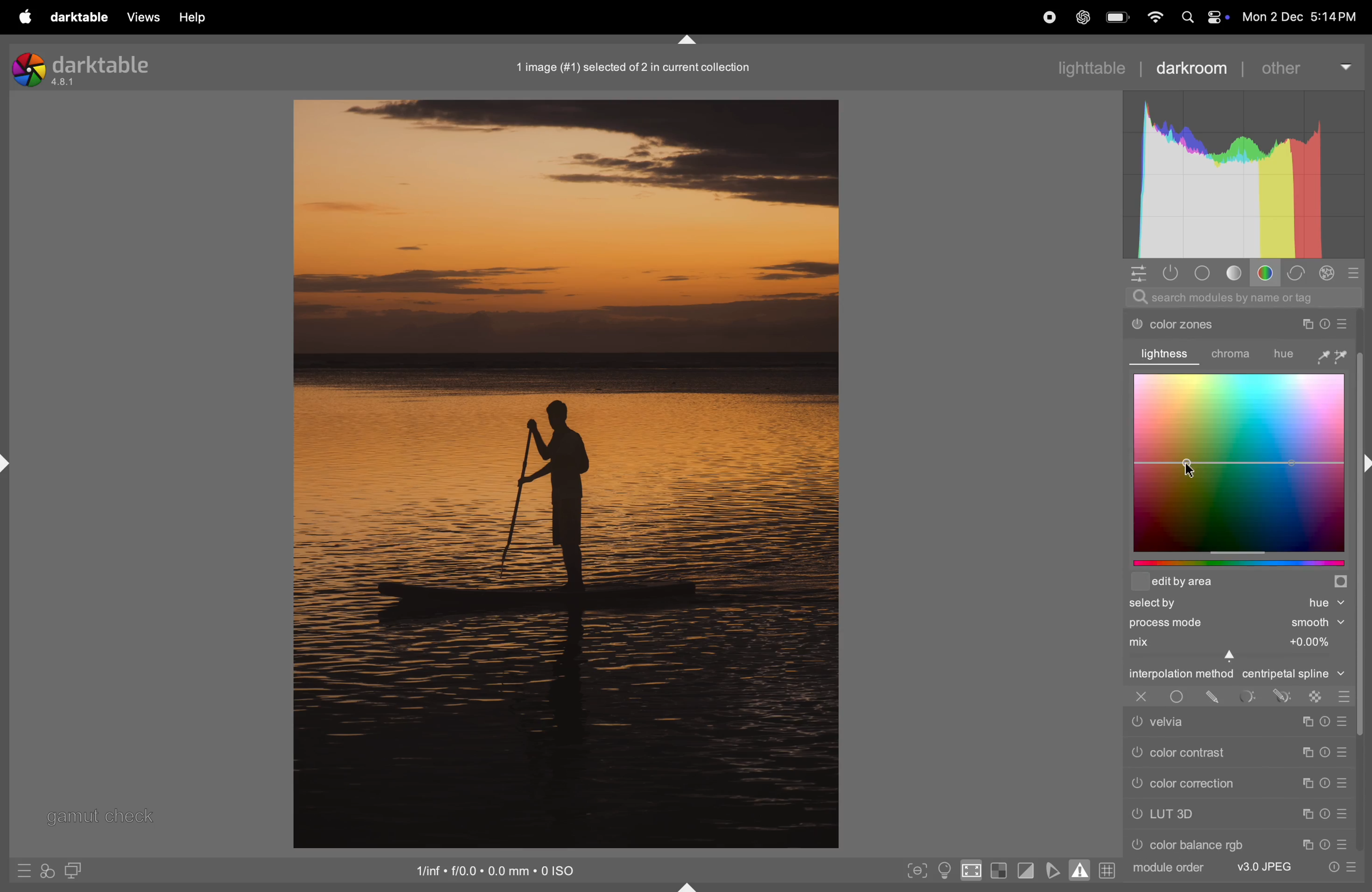  I want to click on darkroom, so click(1197, 69).